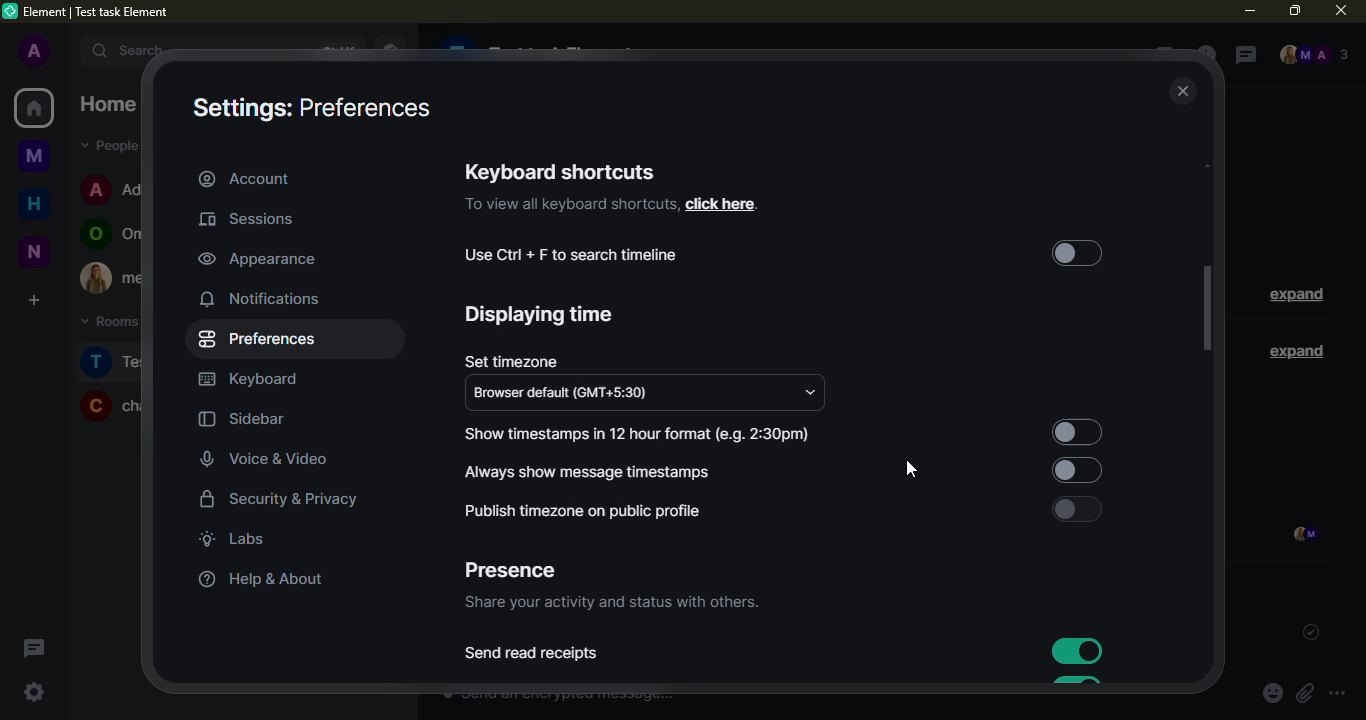 This screenshot has width=1366, height=720. I want to click on myspace, so click(35, 154).